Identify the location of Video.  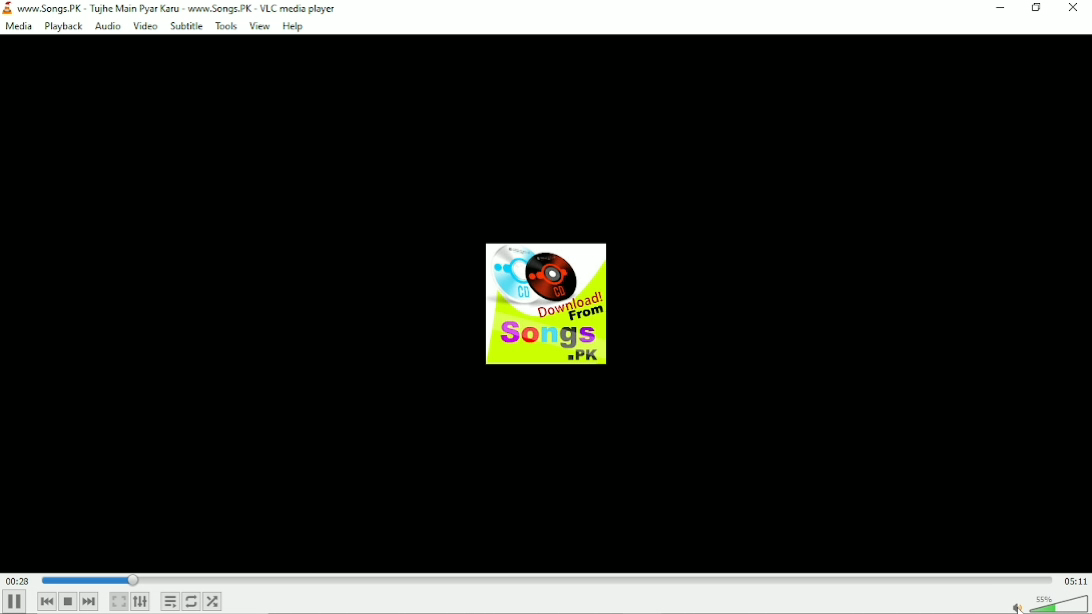
(144, 26).